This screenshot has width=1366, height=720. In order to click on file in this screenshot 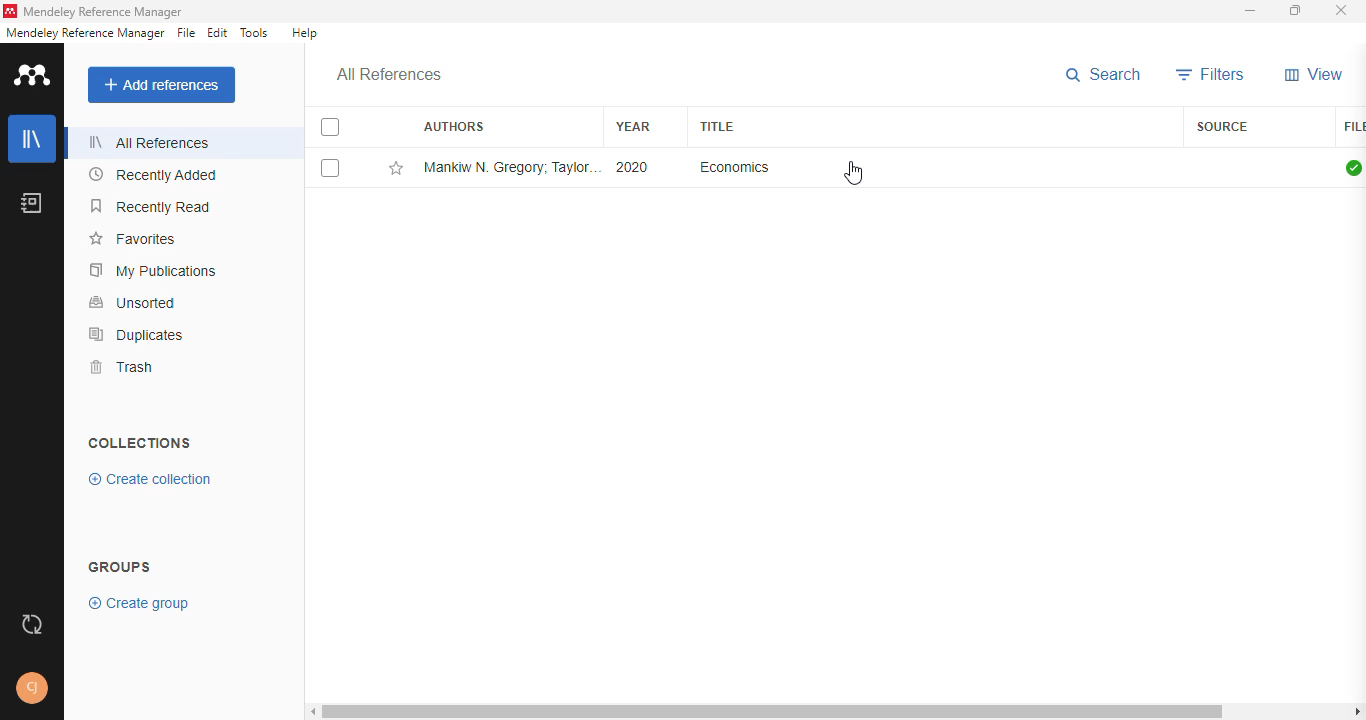, I will do `click(186, 33)`.